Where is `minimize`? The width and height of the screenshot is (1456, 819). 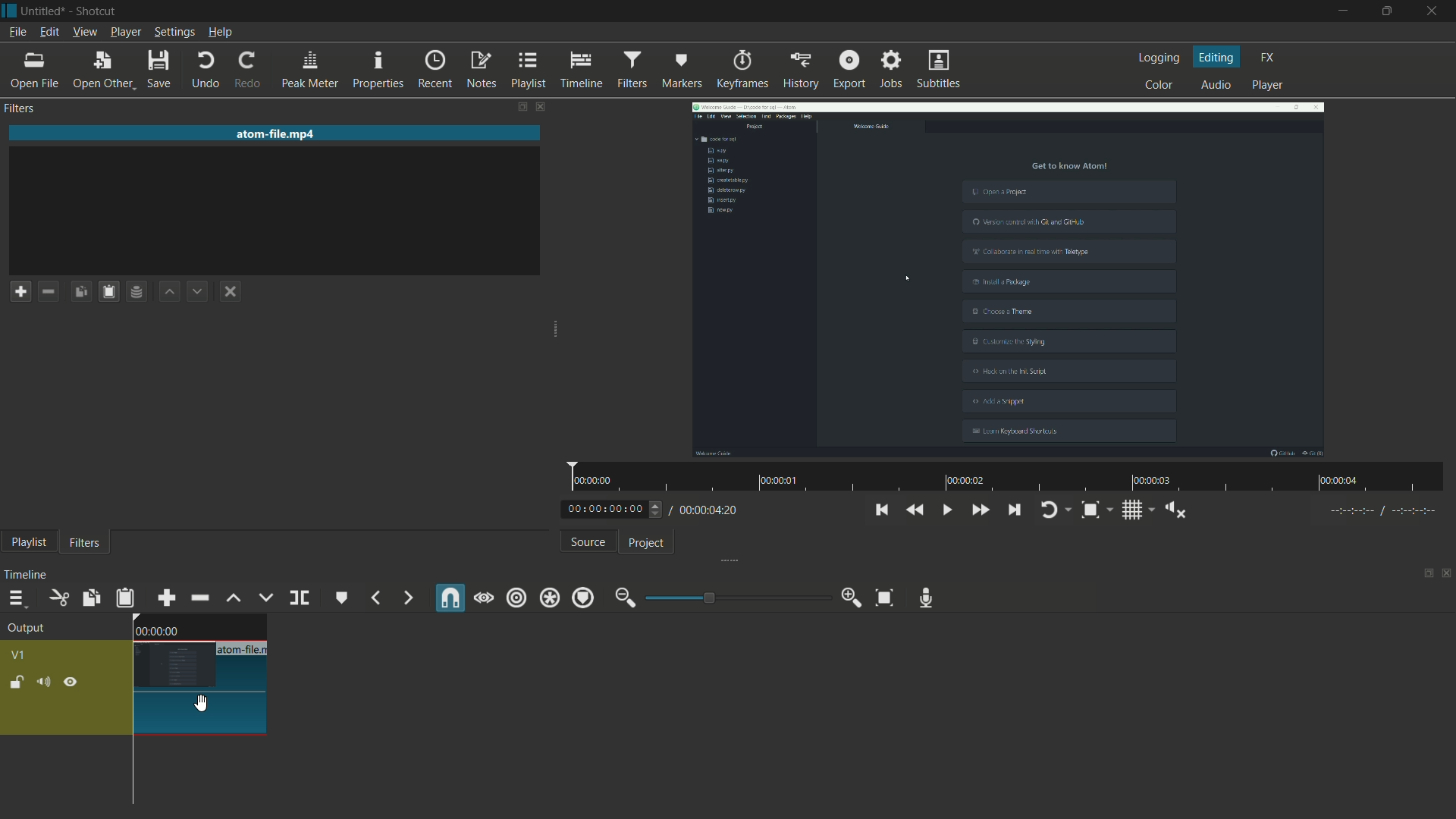
minimize is located at coordinates (1339, 11).